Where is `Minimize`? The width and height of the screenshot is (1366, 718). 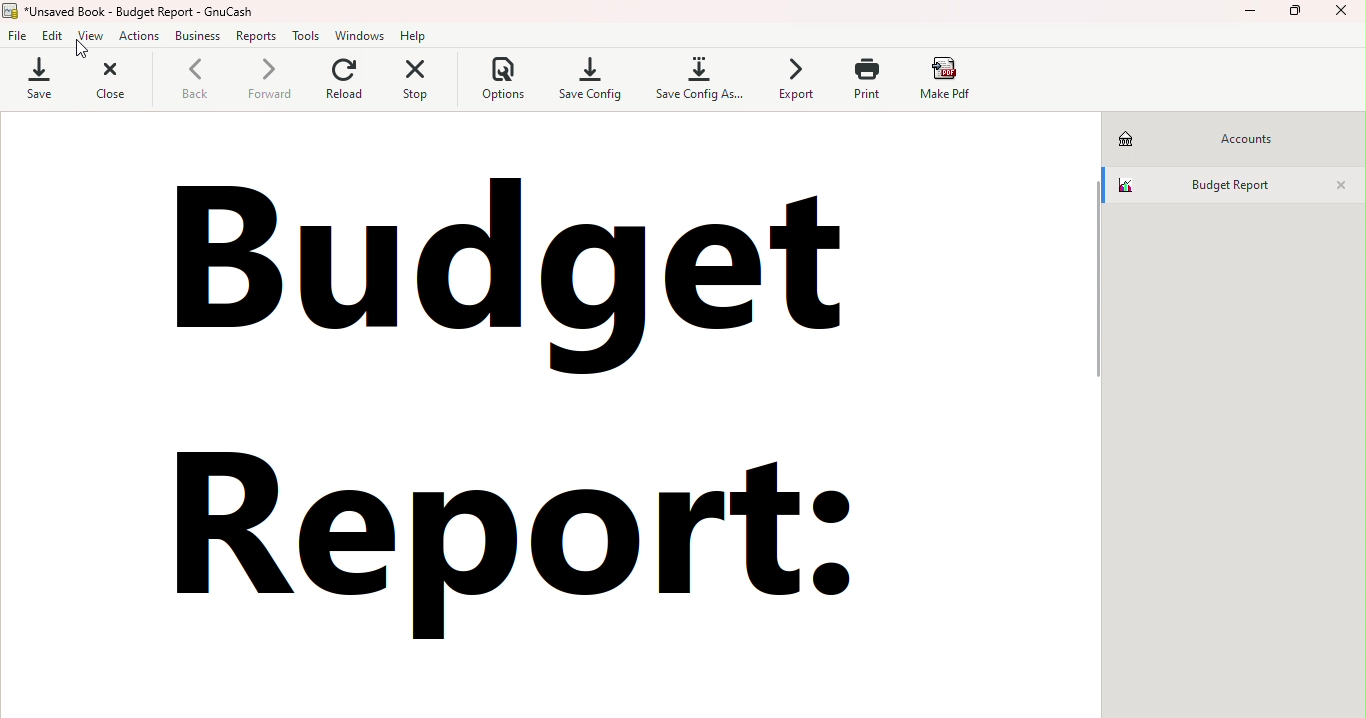
Minimize is located at coordinates (1254, 17).